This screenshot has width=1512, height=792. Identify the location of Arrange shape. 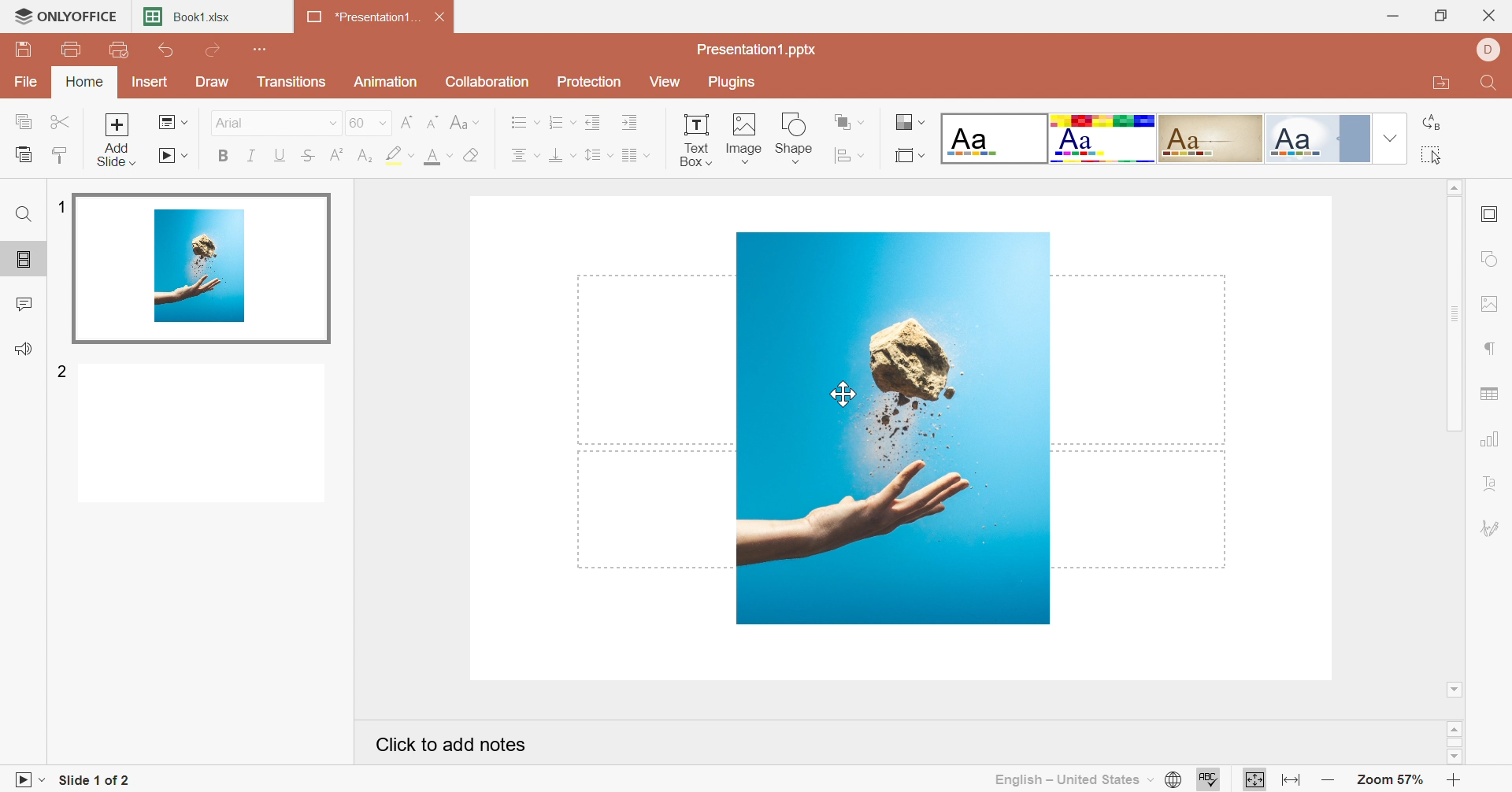
(850, 152).